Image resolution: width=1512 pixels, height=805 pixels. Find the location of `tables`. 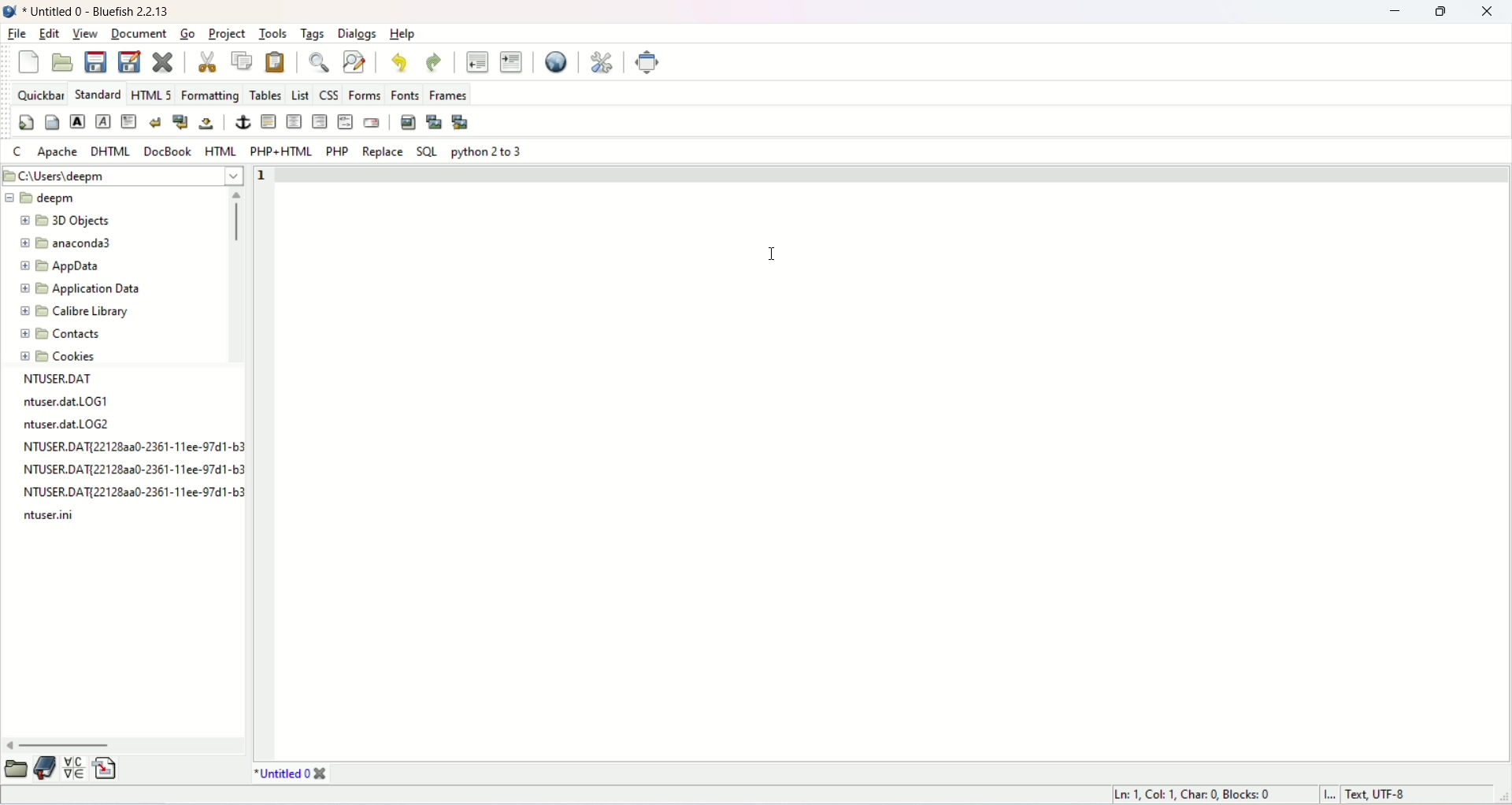

tables is located at coordinates (265, 97).